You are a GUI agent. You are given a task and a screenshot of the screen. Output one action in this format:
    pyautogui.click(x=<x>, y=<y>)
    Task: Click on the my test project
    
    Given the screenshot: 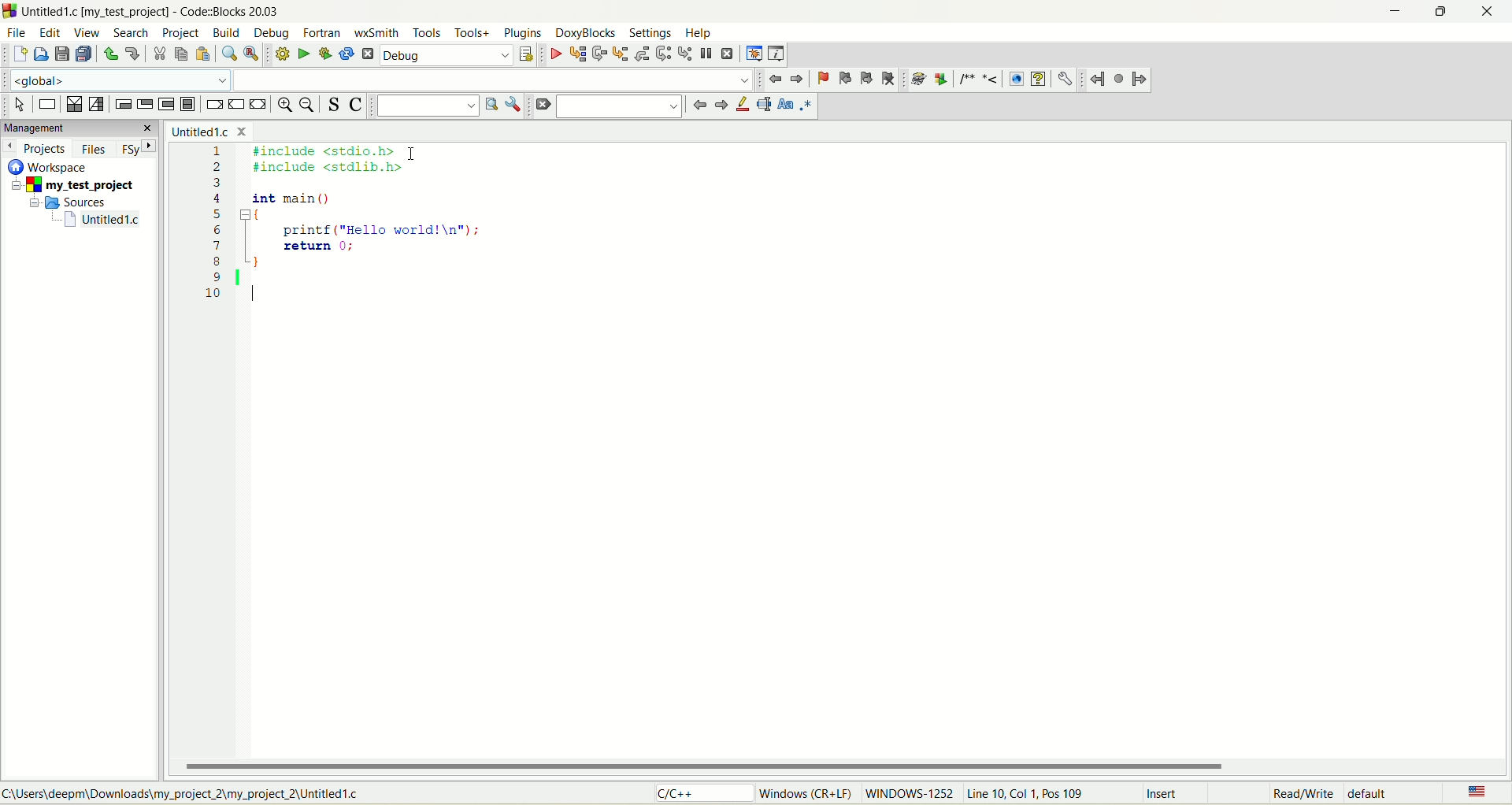 What is the action you would take?
    pyautogui.click(x=69, y=186)
    